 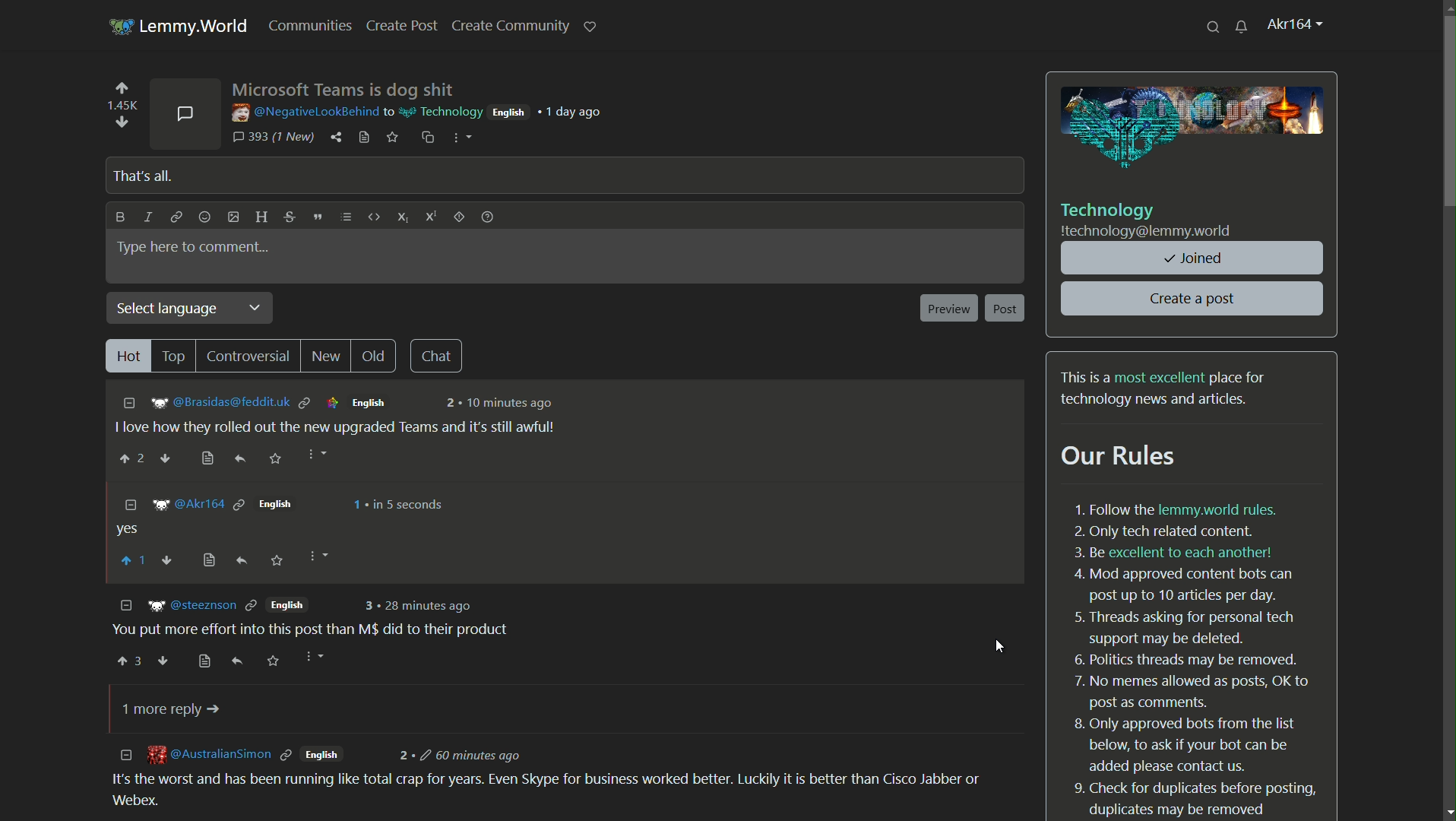 What do you see at coordinates (508, 112) in the screenshot?
I see `english` at bounding box center [508, 112].